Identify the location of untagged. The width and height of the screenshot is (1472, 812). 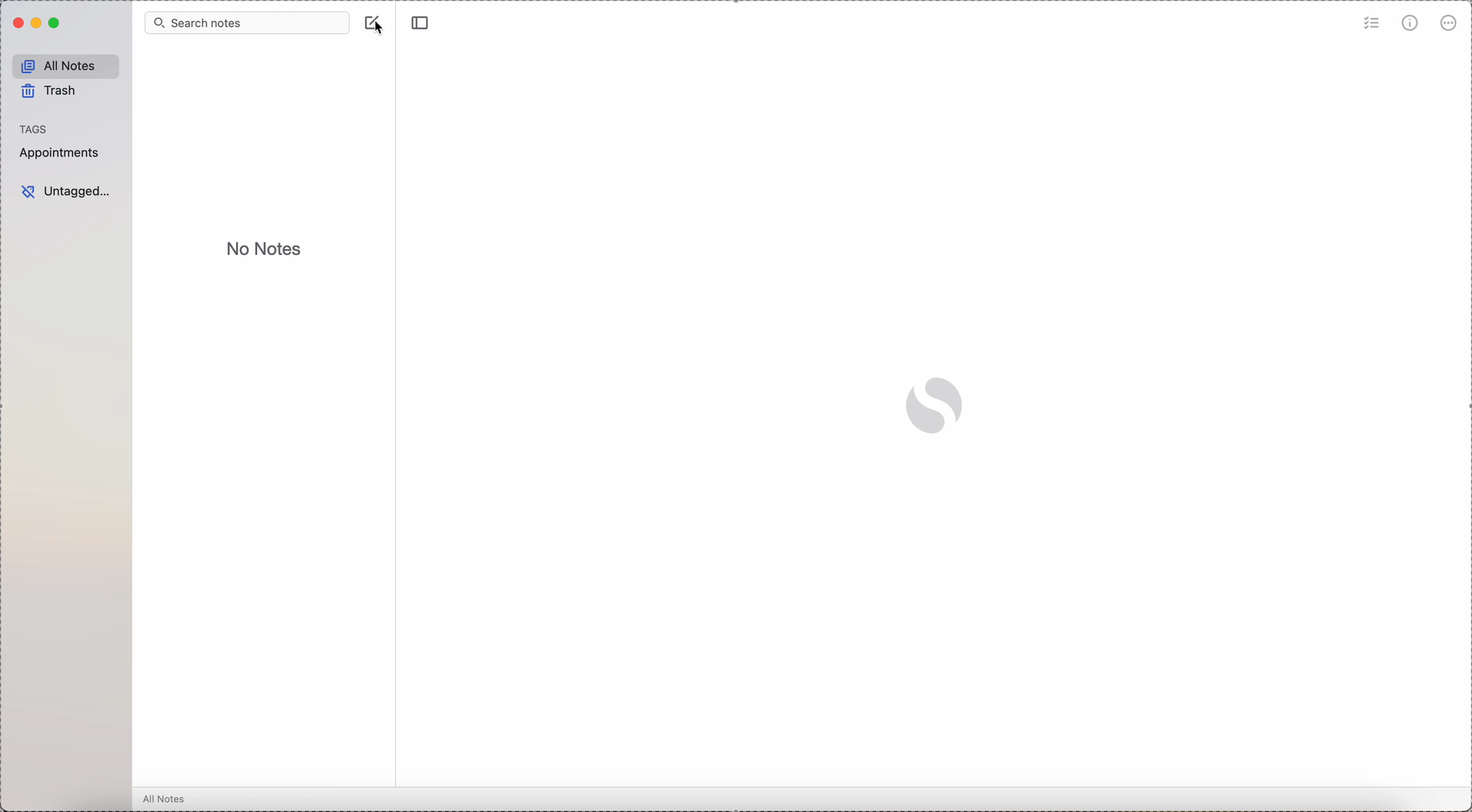
(66, 191).